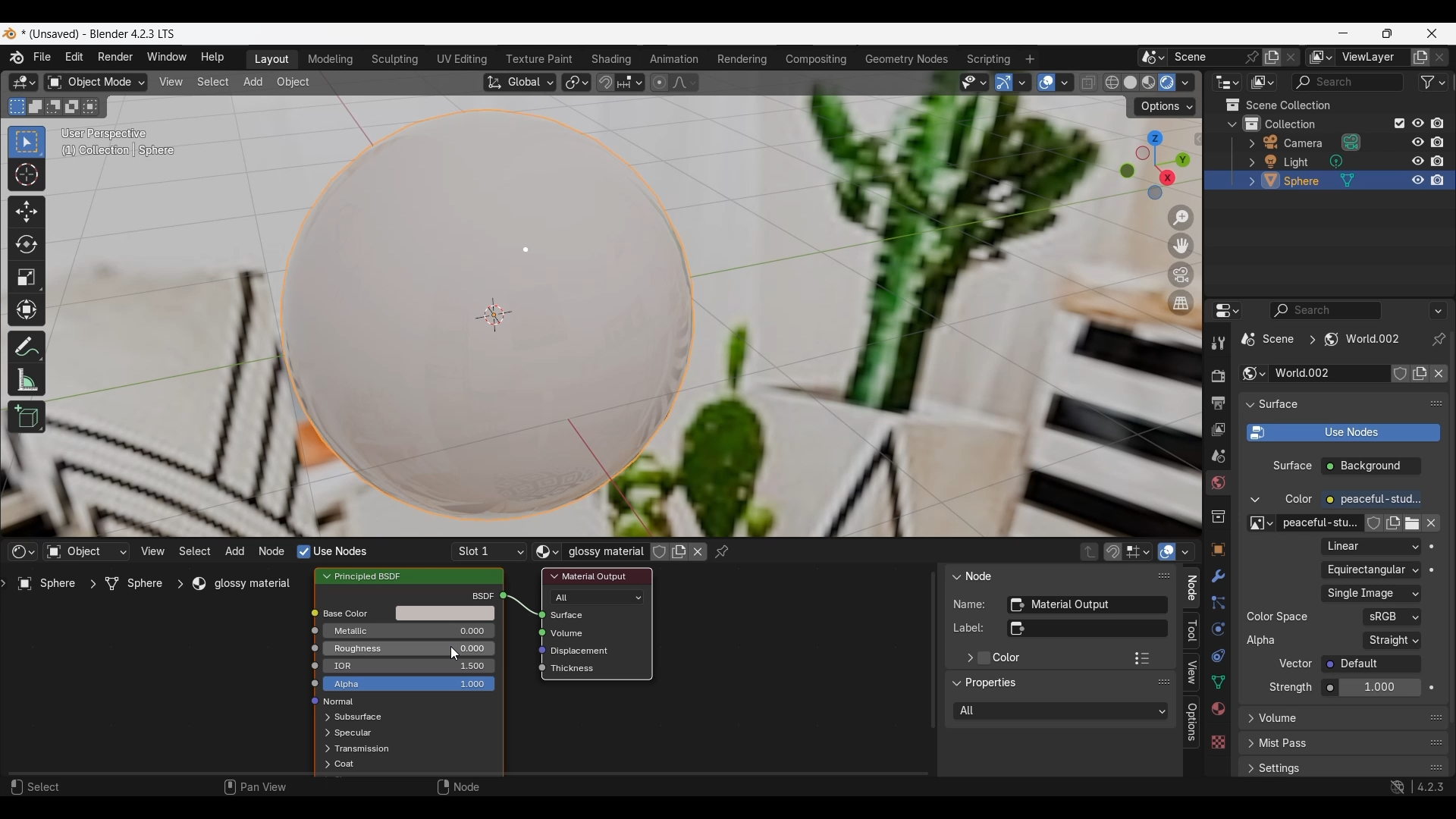 The width and height of the screenshot is (1456, 819). I want to click on Filter, so click(1432, 83).